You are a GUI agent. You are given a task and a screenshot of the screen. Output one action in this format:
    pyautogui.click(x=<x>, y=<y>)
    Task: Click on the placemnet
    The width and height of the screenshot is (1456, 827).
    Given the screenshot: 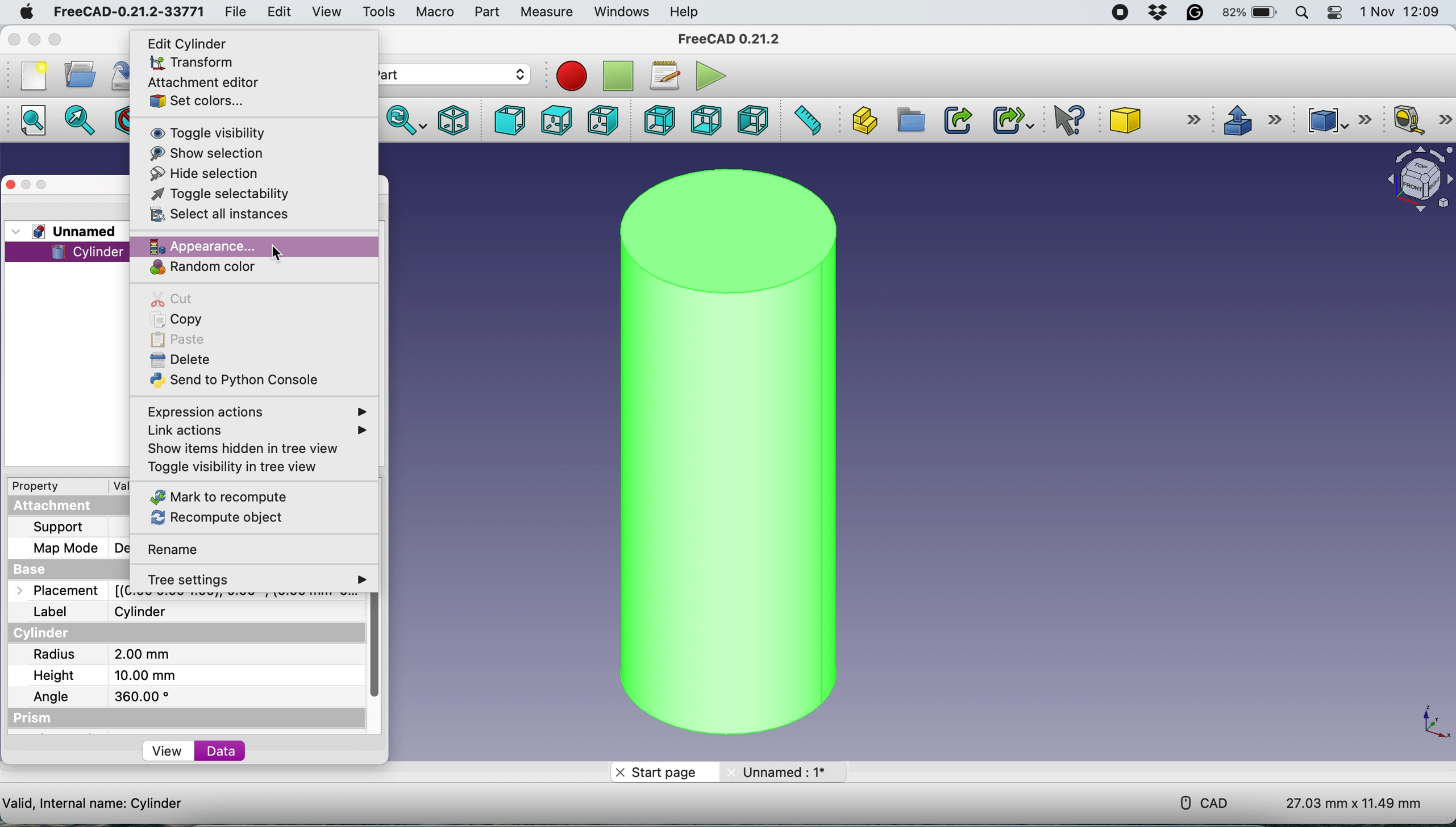 What is the action you would take?
    pyautogui.click(x=190, y=594)
    